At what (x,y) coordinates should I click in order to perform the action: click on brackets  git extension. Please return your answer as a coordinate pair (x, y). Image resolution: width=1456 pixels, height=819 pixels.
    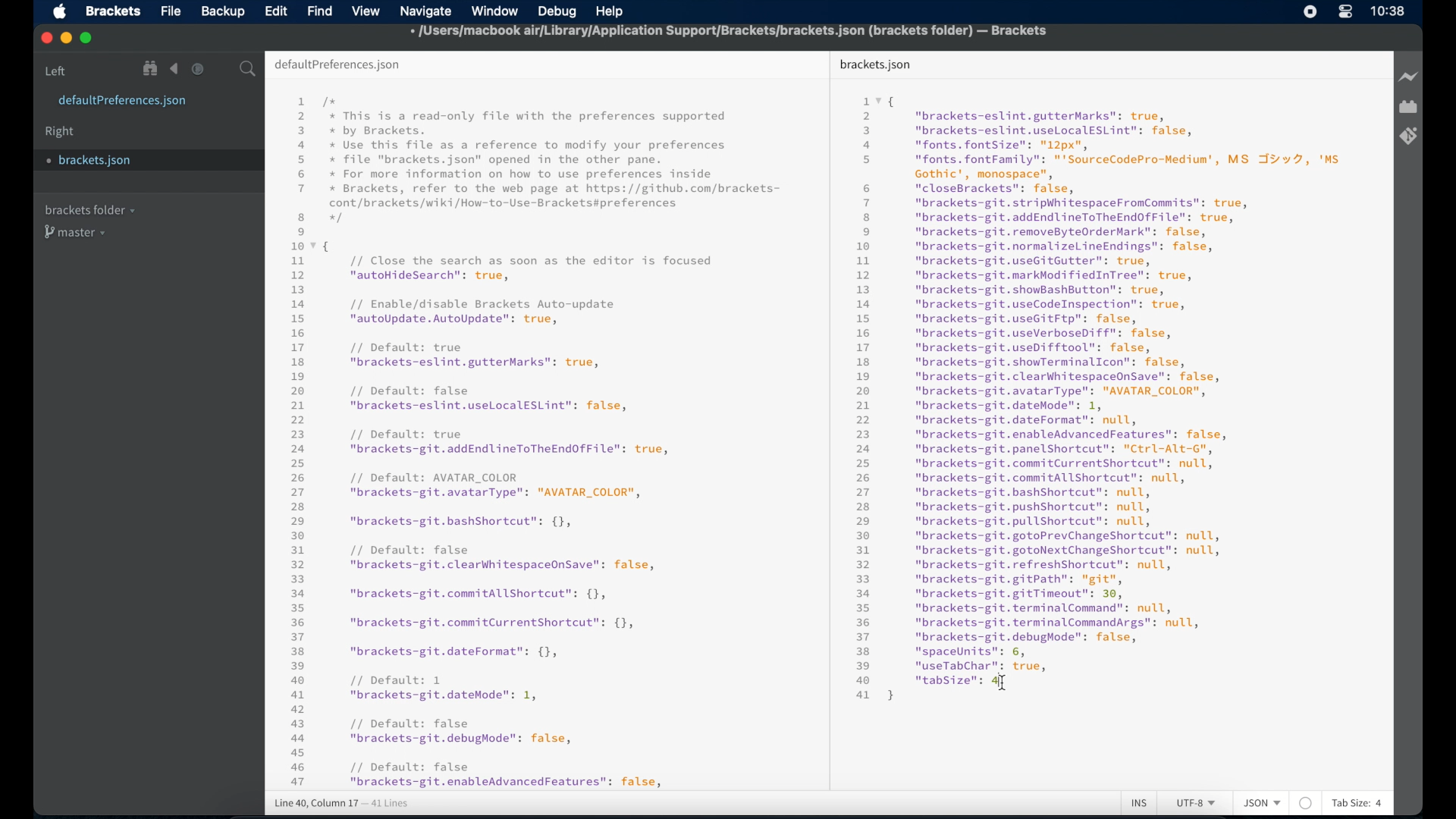
    Looking at the image, I should click on (1408, 136).